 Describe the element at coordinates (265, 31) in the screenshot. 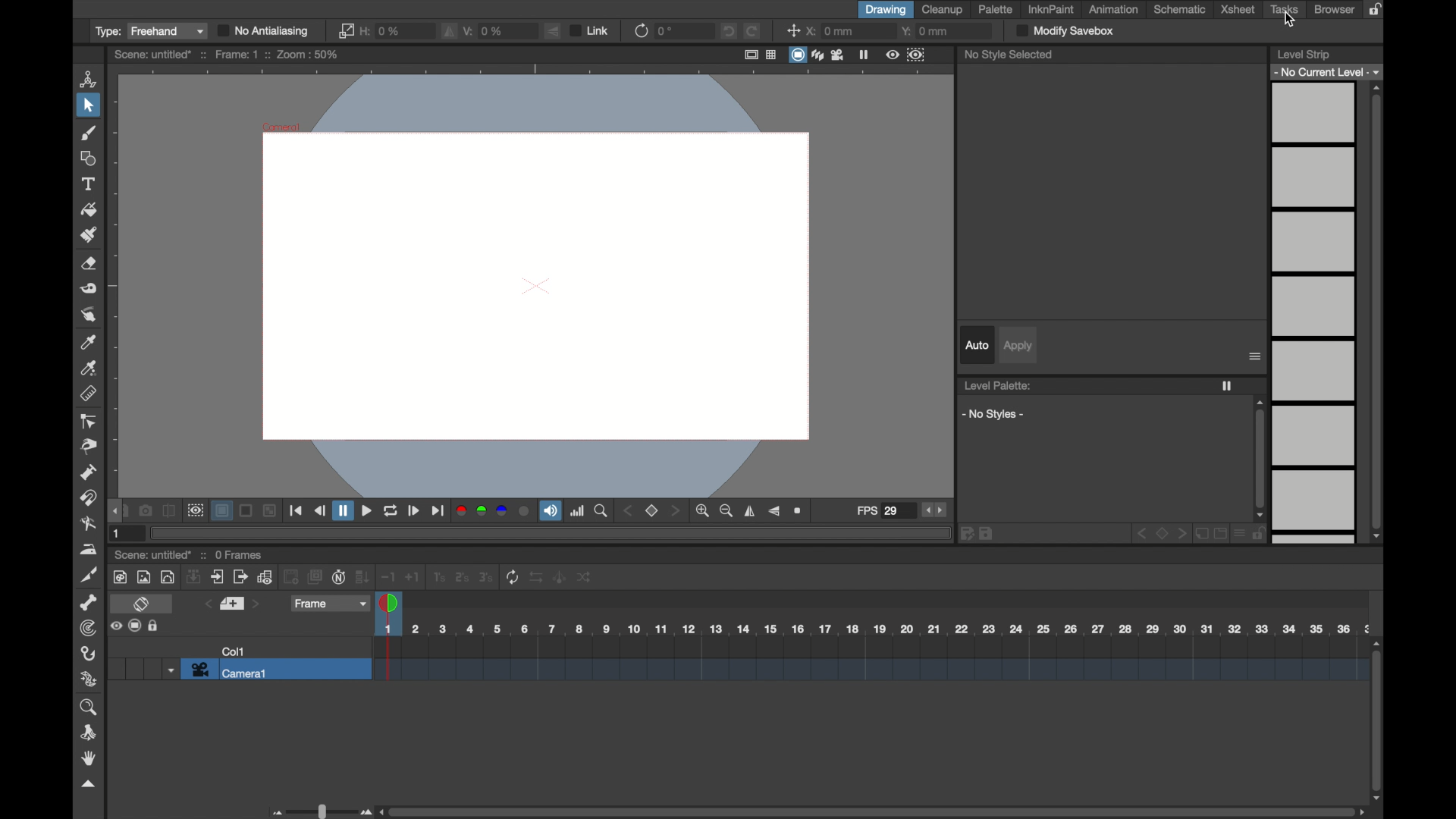

I see `no antialiasing` at that location.